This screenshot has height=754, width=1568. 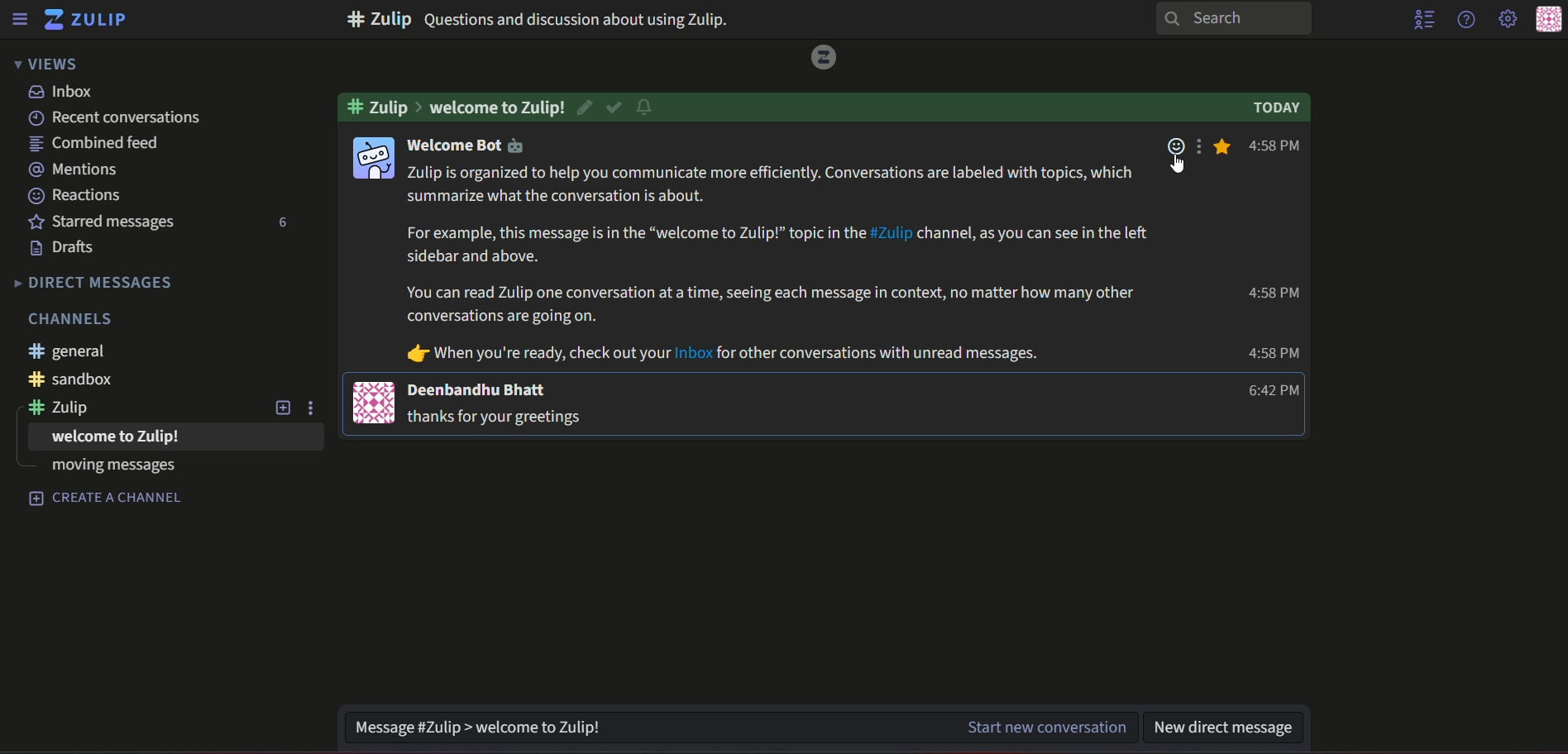 What do you see at coordinates (72, 379) in the screenshot?
I see `#sandbox` at bounding box center [72, 379].